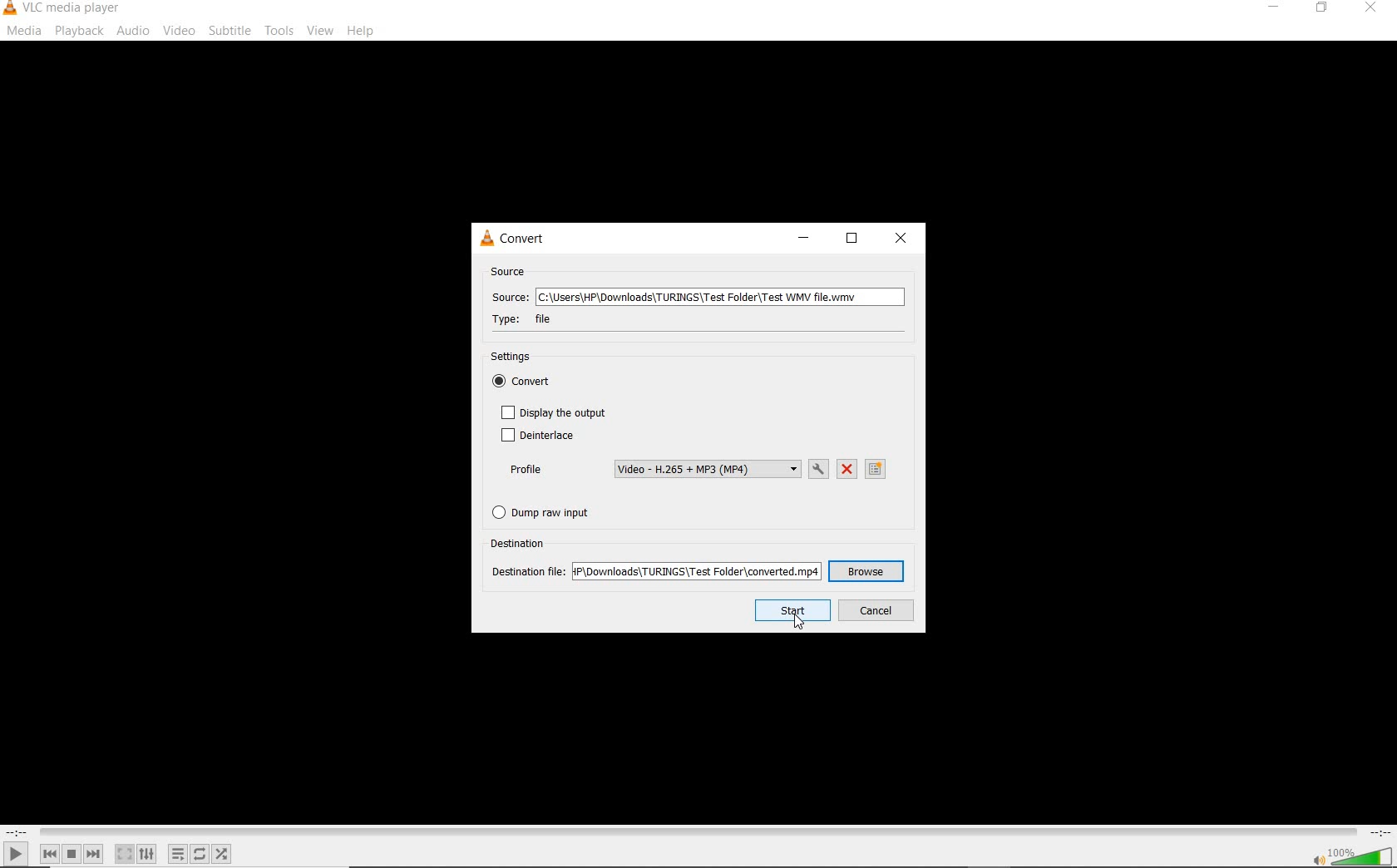 Image resolution: width=1397 pixels, height=868 pixels. Describe the element at coordinates (847, 470) in the screenshot. I see `DELETE SELECTED PROFILE` at that location.